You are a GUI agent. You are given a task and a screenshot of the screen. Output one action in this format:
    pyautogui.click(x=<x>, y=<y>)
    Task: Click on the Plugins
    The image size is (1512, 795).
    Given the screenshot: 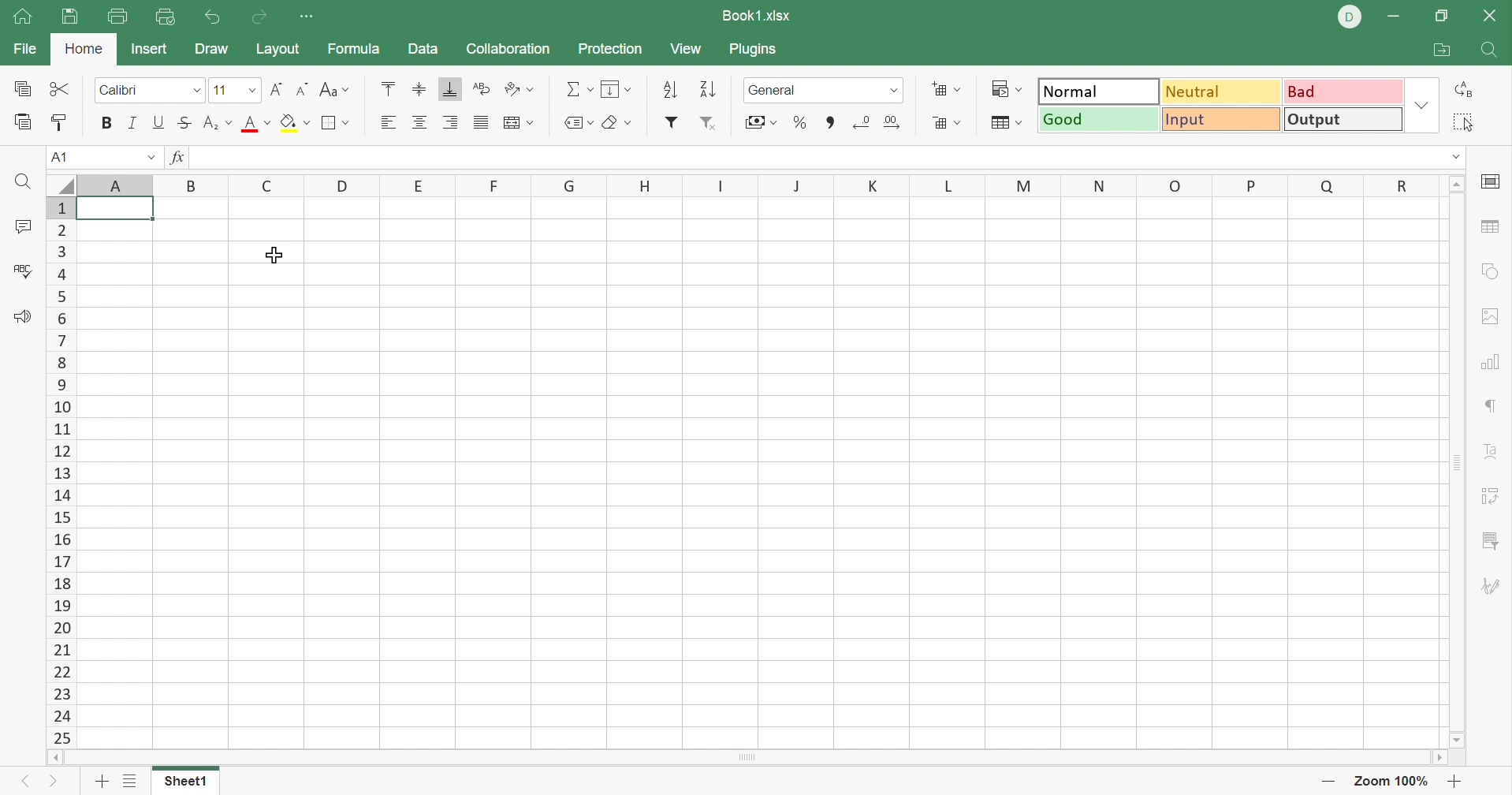 What is the action you would take?
    pyautogui.click(x=754, y=50)
    